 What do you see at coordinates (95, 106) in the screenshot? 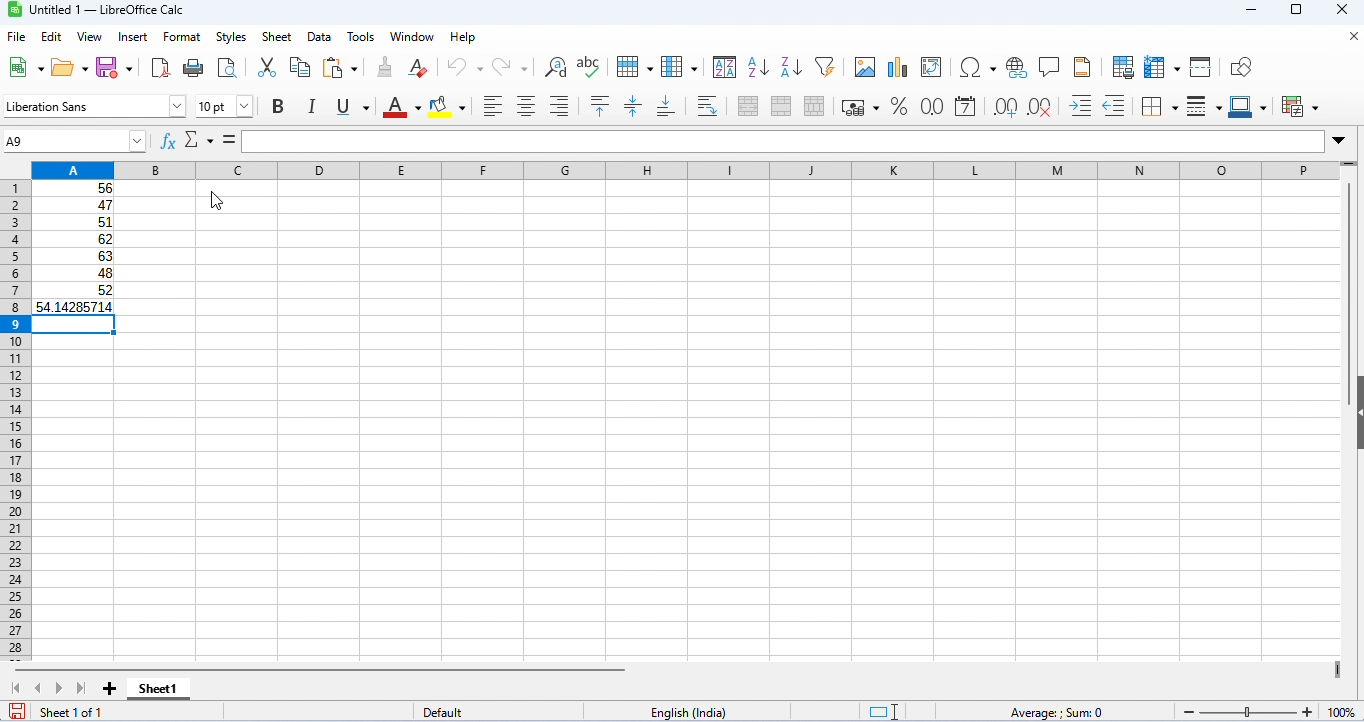
I see `font style` at bounding box center [95, 106].